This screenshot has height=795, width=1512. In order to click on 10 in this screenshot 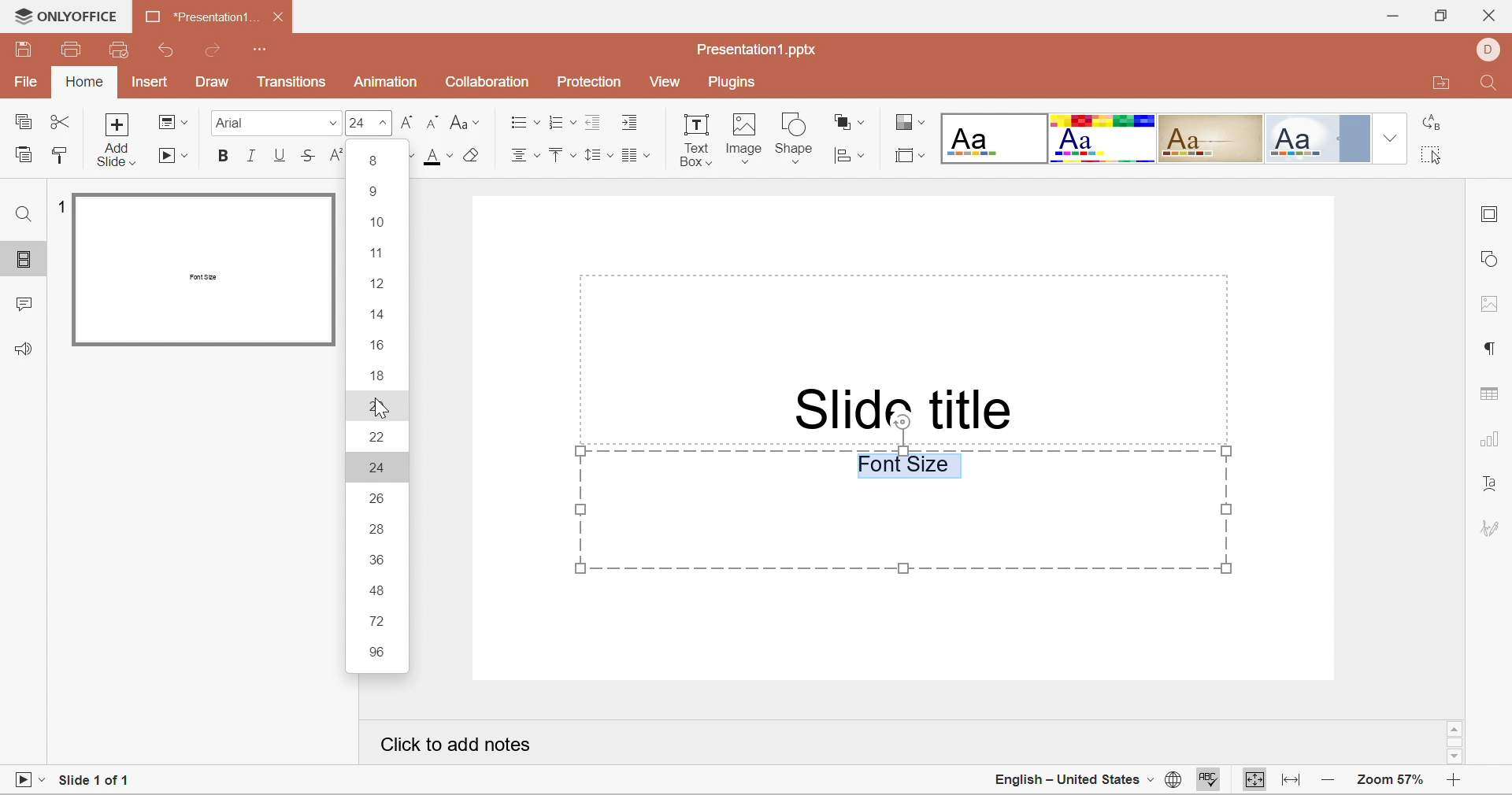, I will do `click(376, 224)`.